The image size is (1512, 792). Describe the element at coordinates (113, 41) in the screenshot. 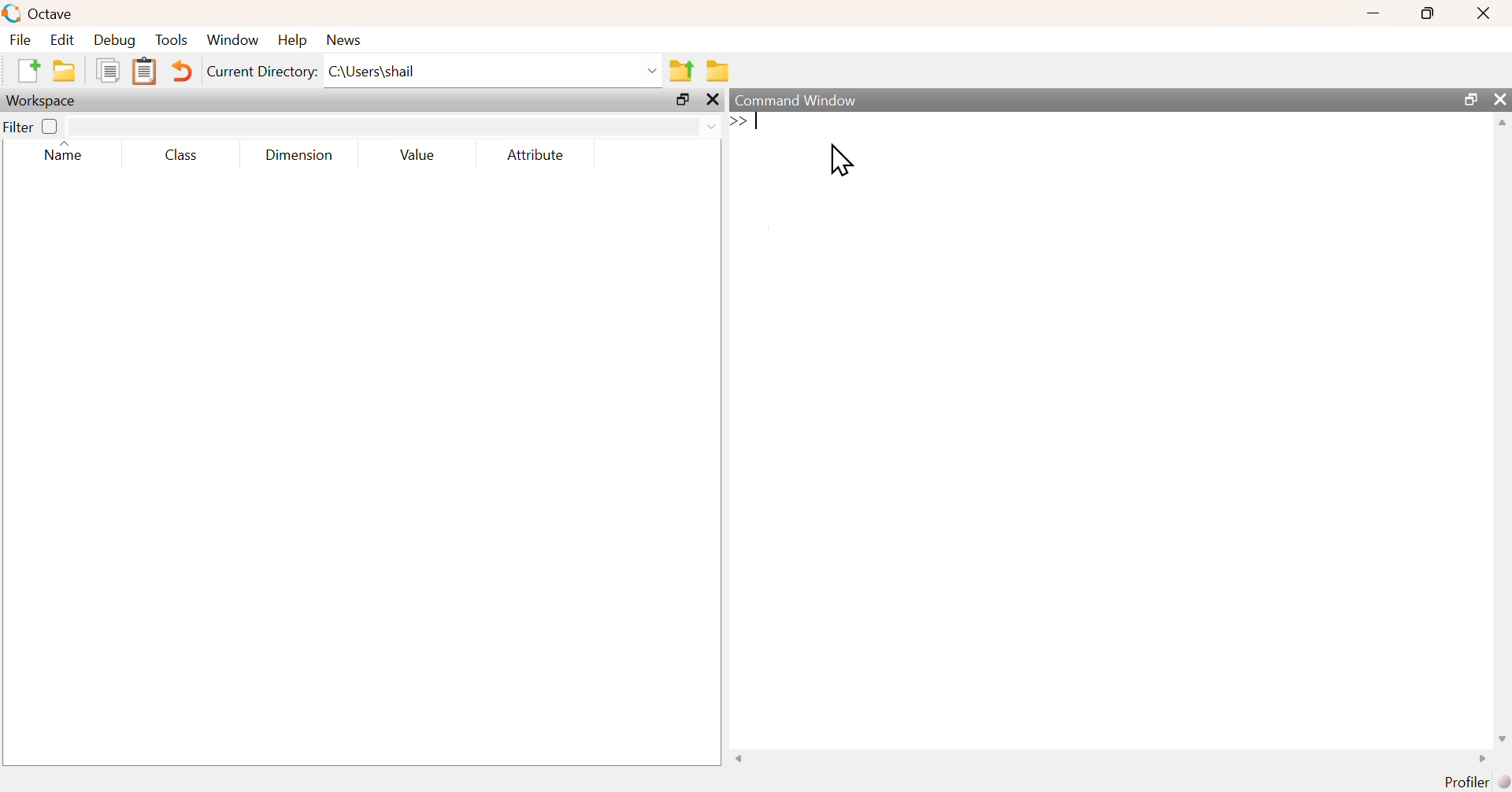

I see `Debug` at that location.